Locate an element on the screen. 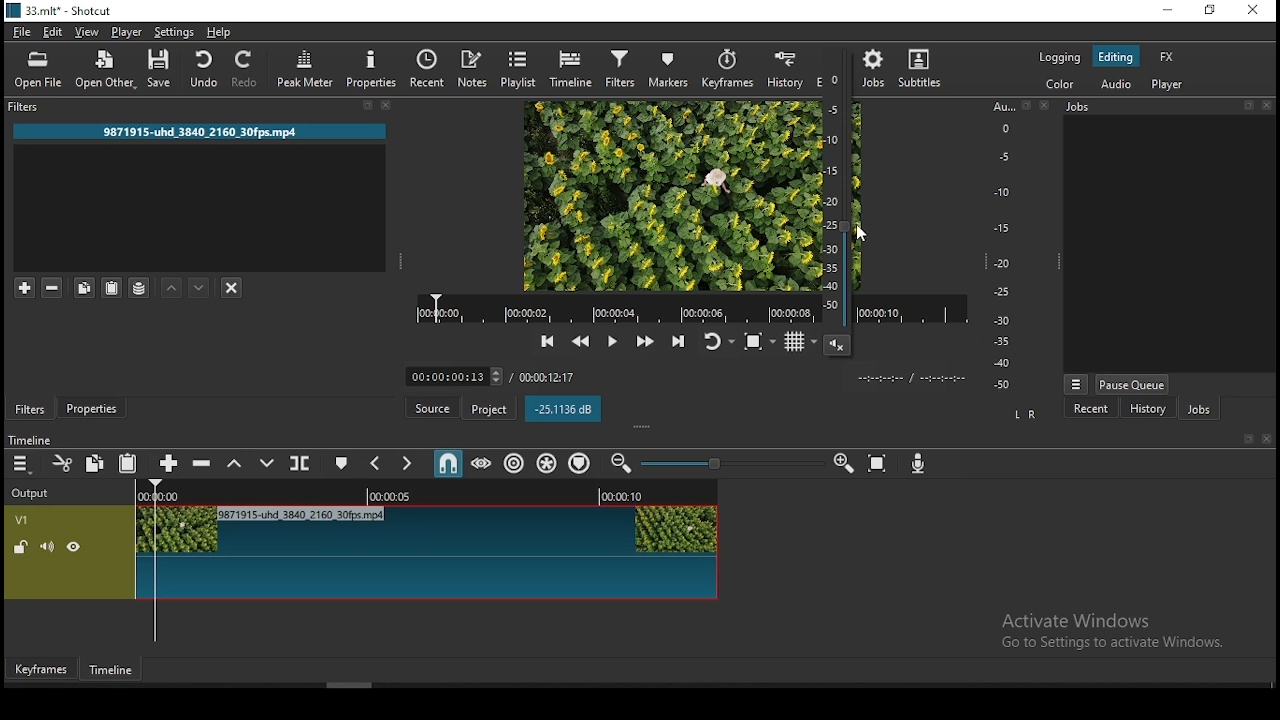  append is located at coordinates (170, 464).